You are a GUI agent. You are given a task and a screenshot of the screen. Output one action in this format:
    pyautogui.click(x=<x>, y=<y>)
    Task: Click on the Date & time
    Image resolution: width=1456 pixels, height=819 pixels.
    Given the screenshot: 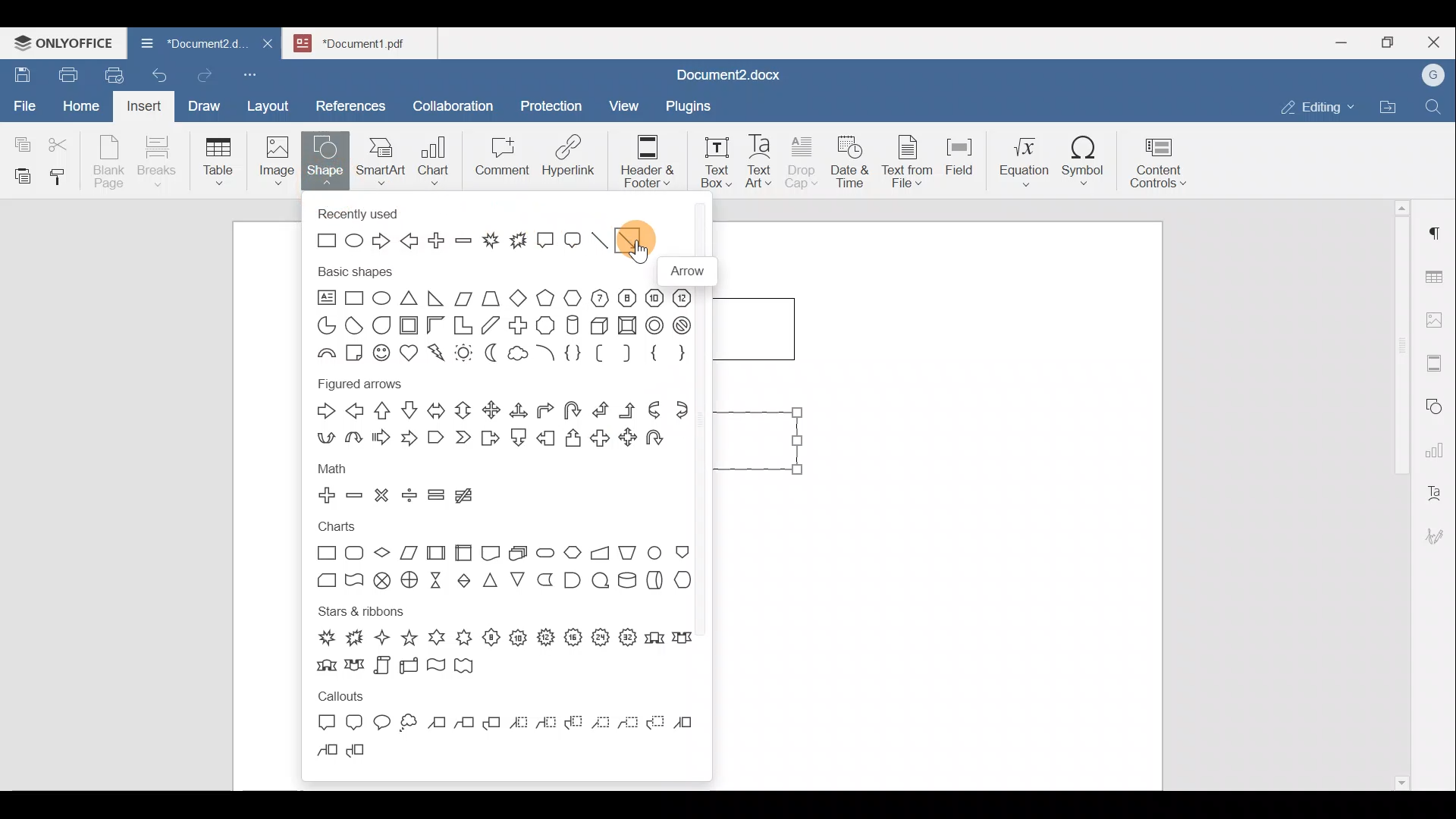 What is the action you would take?
    pyautogui.click(x=851, y=159)
    